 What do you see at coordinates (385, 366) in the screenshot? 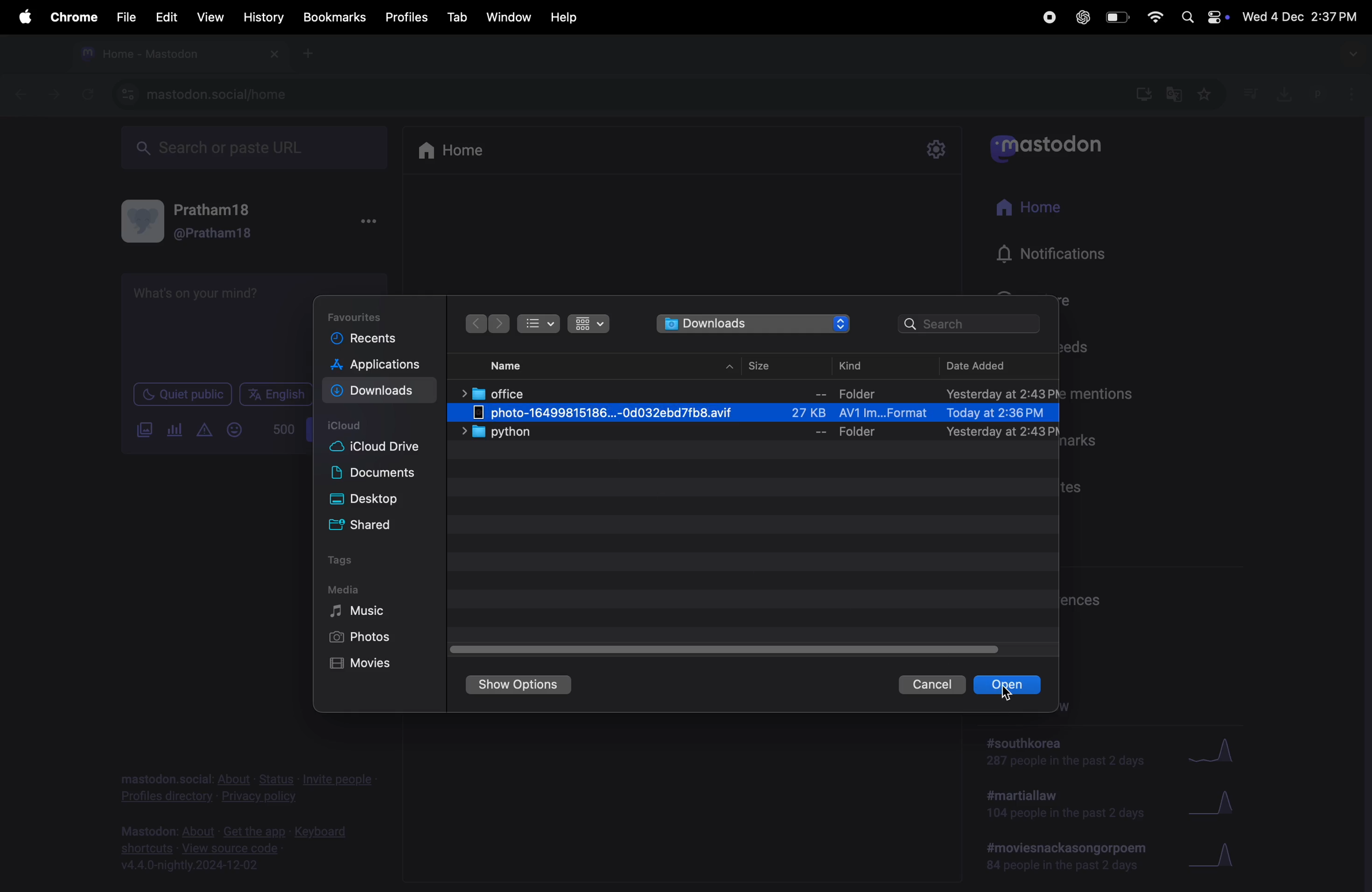
I see `application` at bounding box center [385, 366].